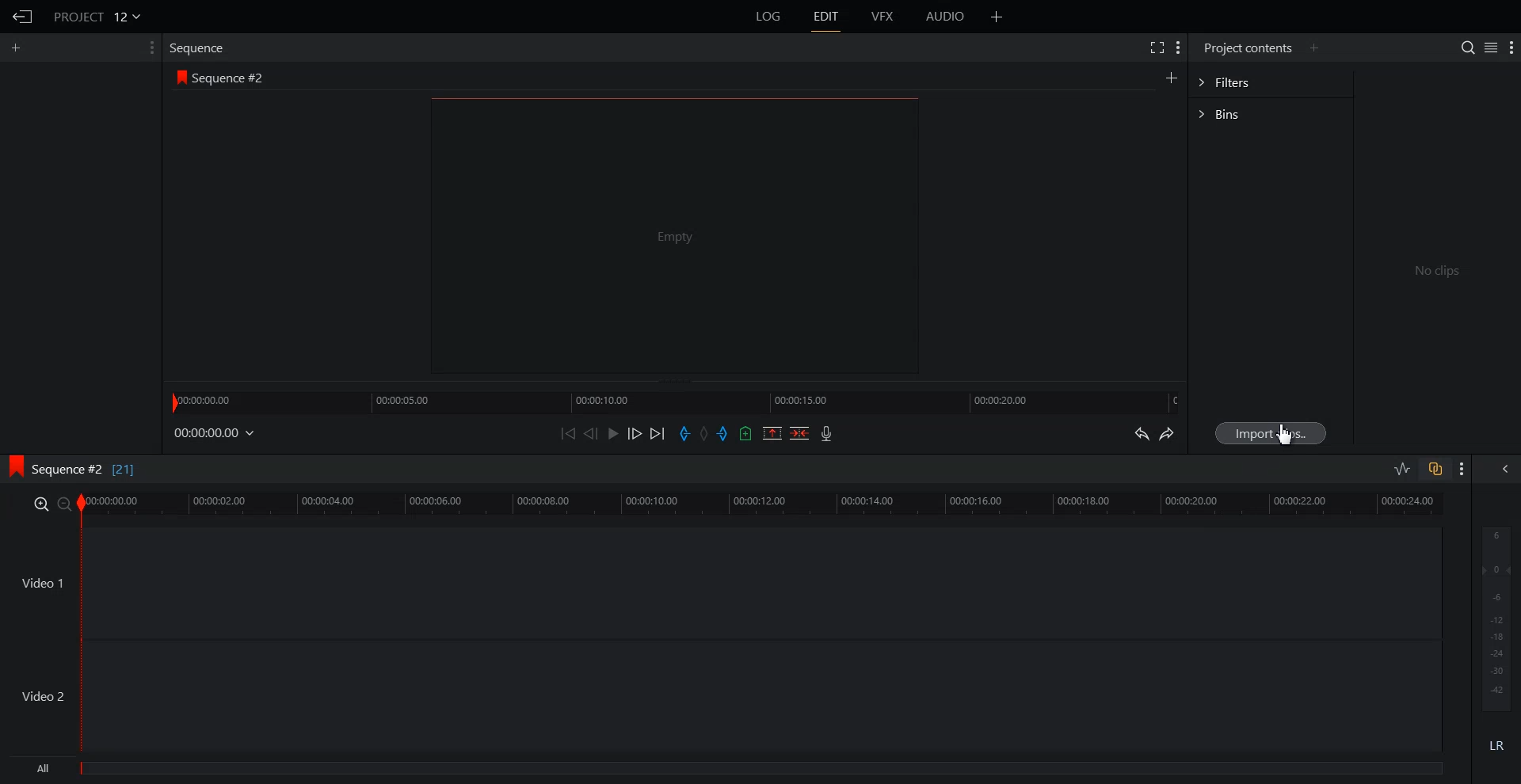 This screenshot has width=1521, height=784. What do you see at coordinates (147, 48) in the screenshot?
I see `Show Setting Menu` at bounding box center [147, 48].